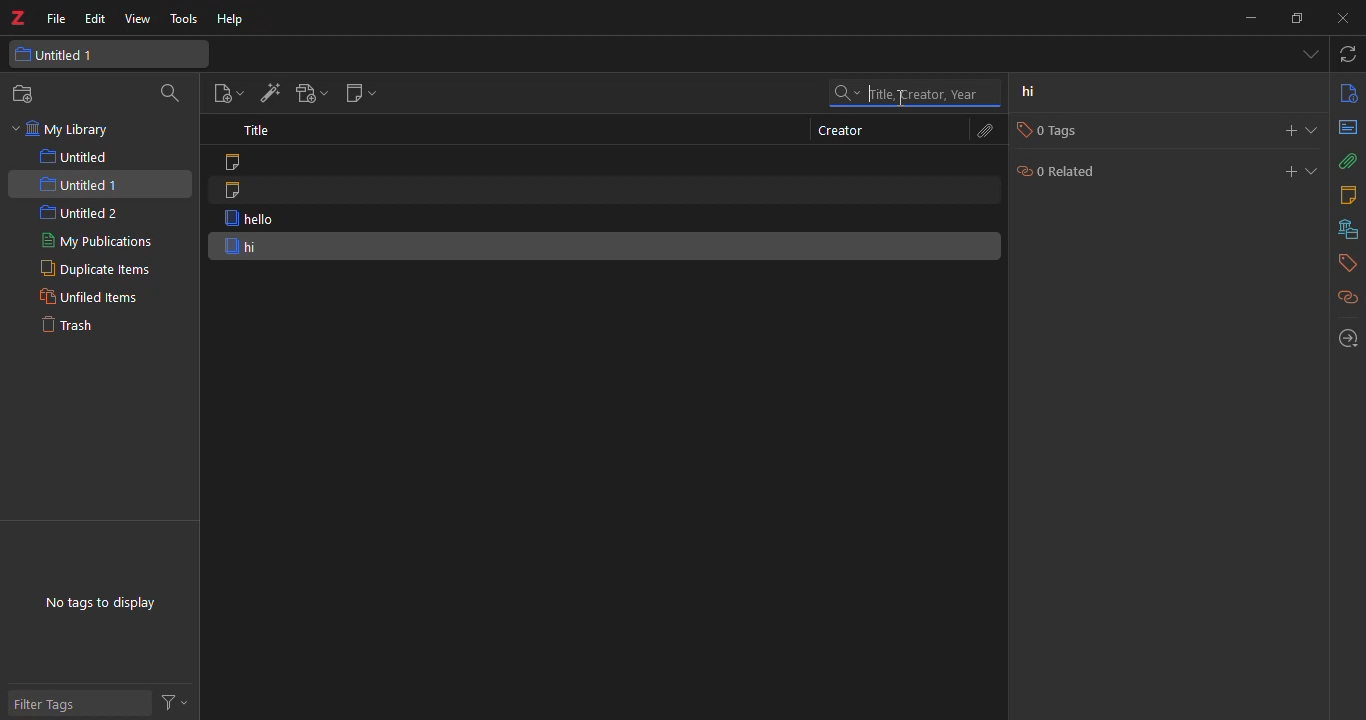 The image size is (1366, 720). I want to click on add, so click(1281, 130).